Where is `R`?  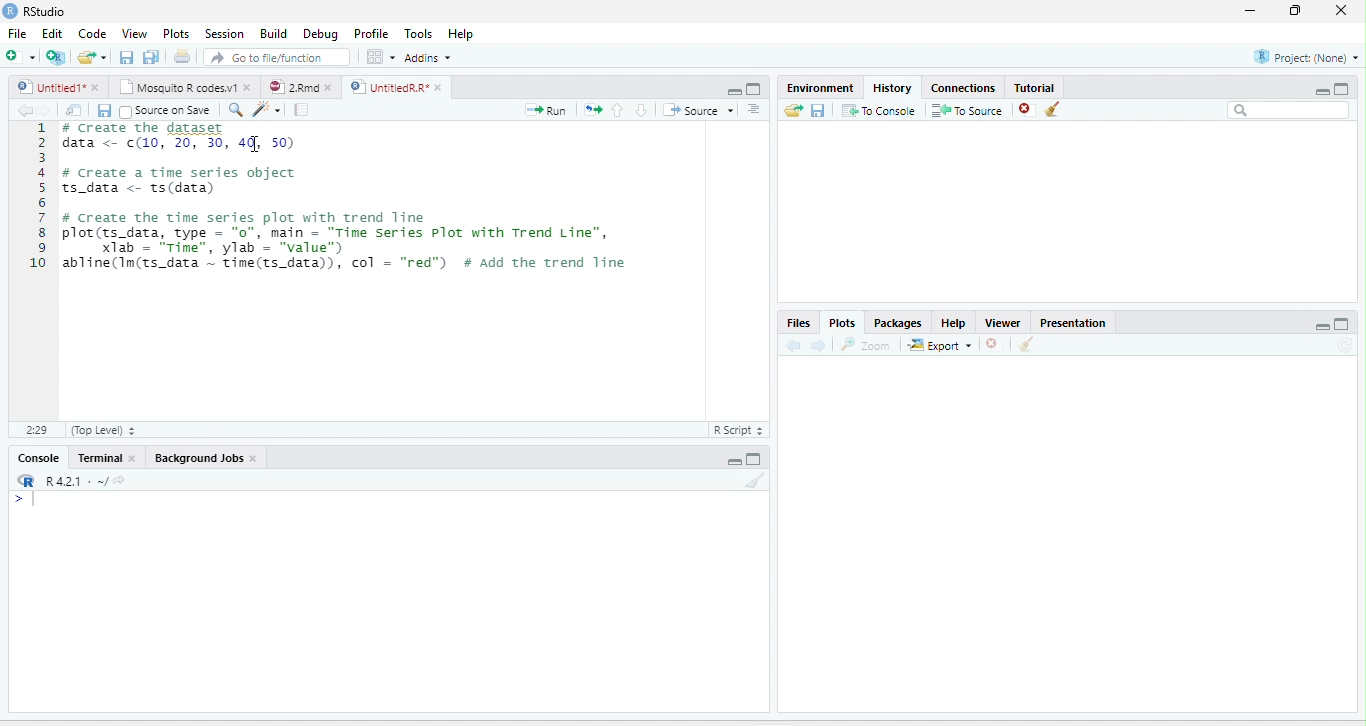
R is located at coordinates (27, 480).